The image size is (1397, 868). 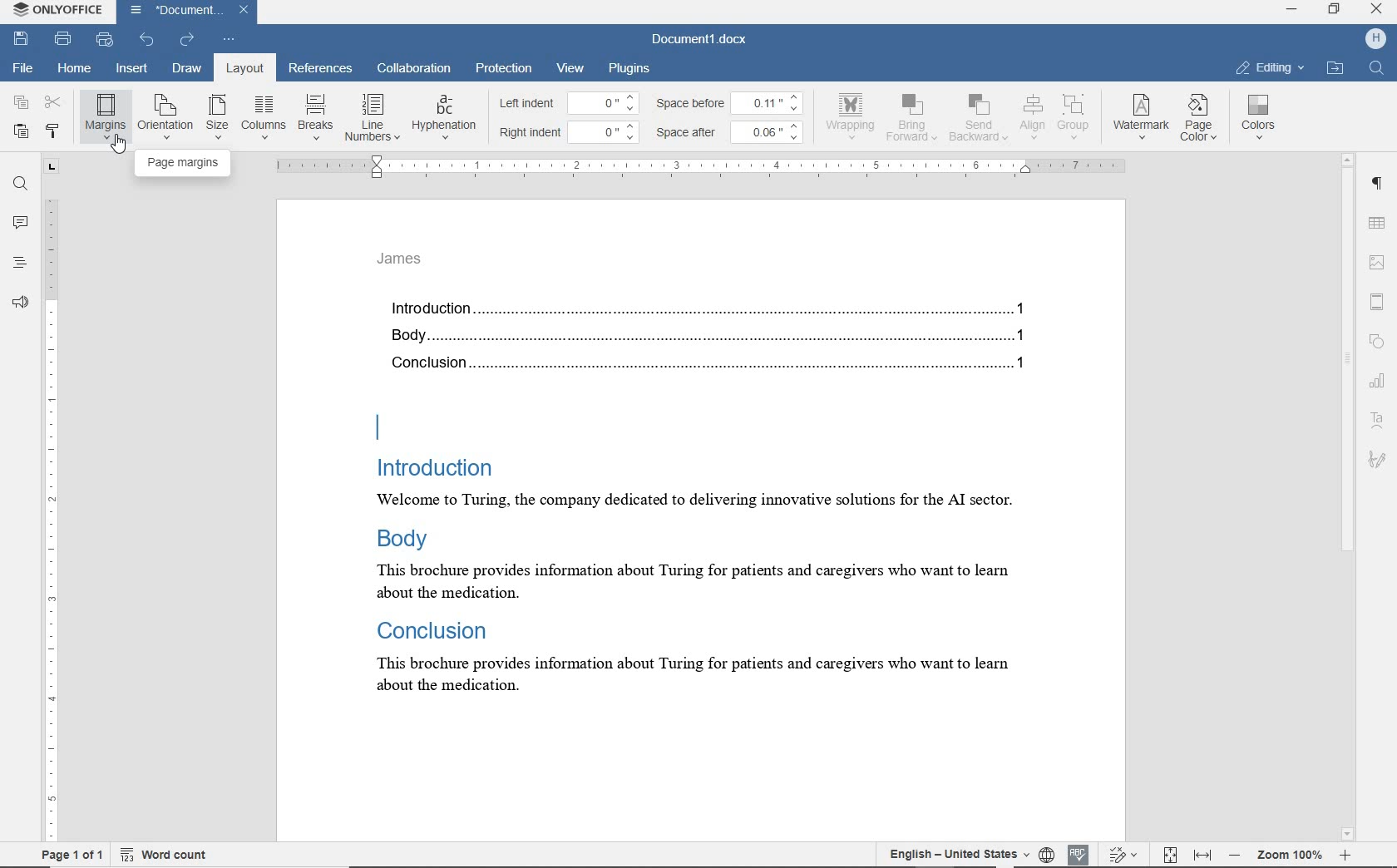 I want to click on RESTORE DOWN, so click(x=1337, y=11).